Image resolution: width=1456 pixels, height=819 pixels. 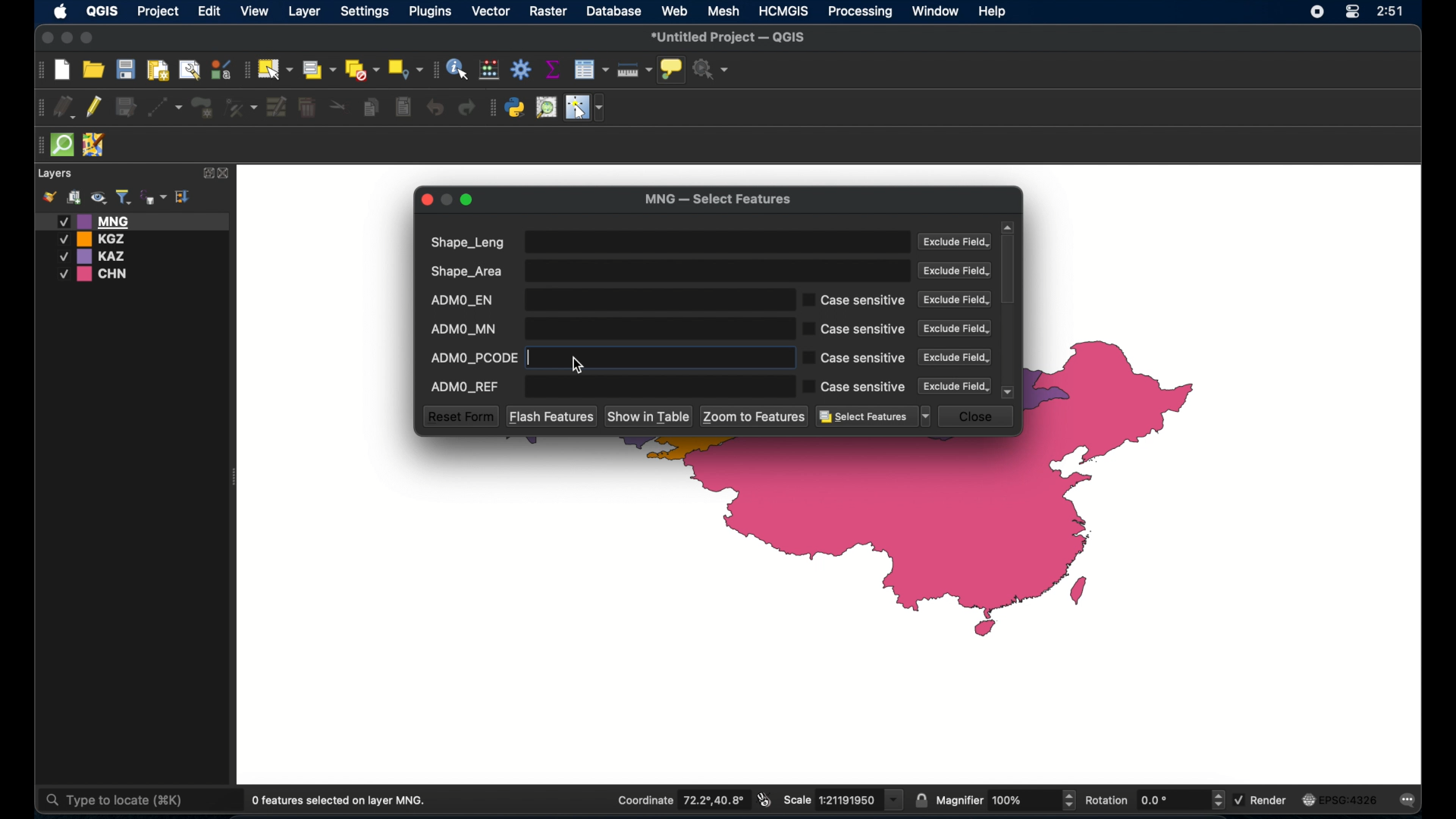 What do you see at coordinates (491, 69) in the screenshot?
I see `open field calculator` at bounding box center [491, 69].